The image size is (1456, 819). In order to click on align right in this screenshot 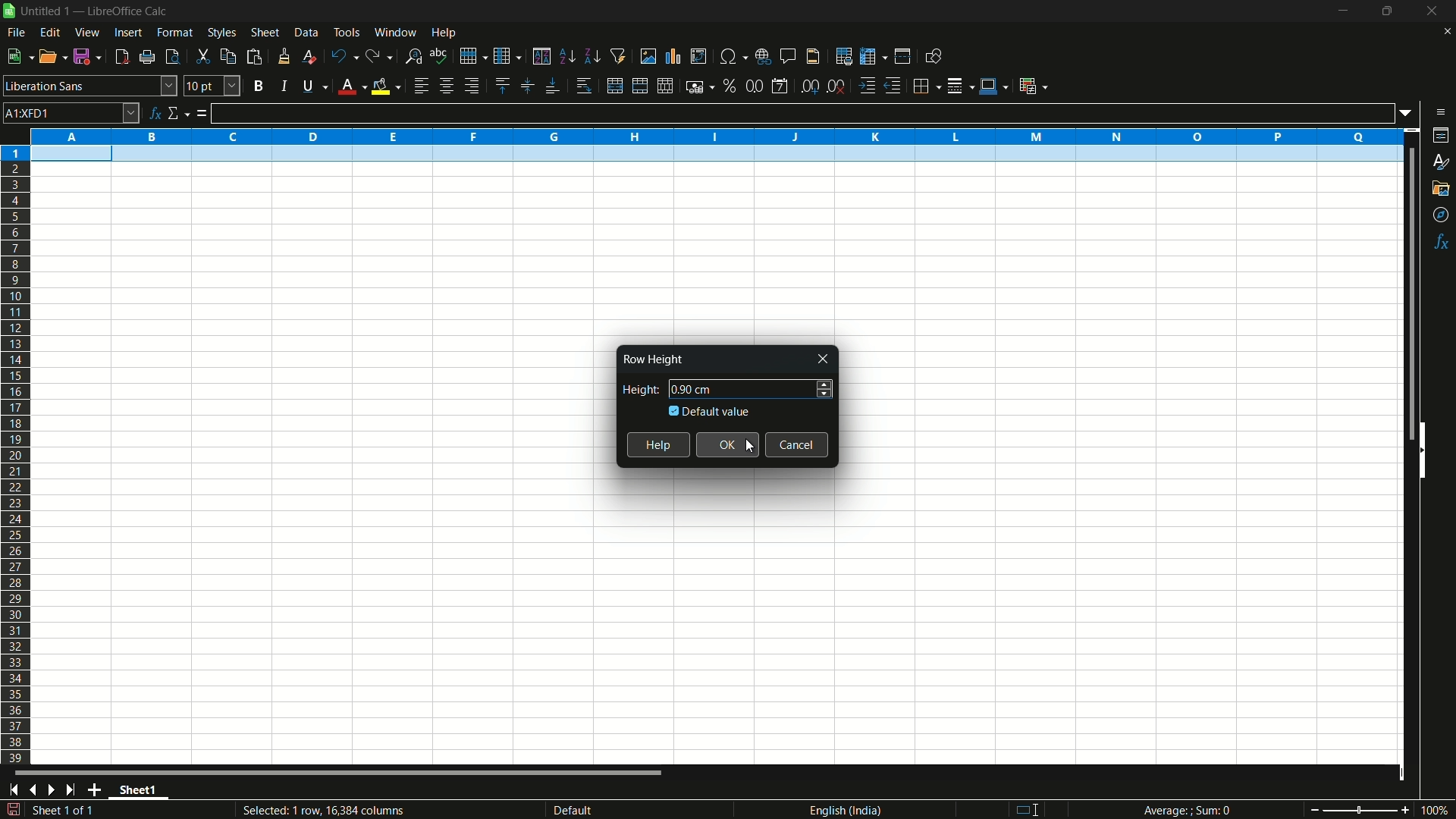, I will do `click(470, 86)`.